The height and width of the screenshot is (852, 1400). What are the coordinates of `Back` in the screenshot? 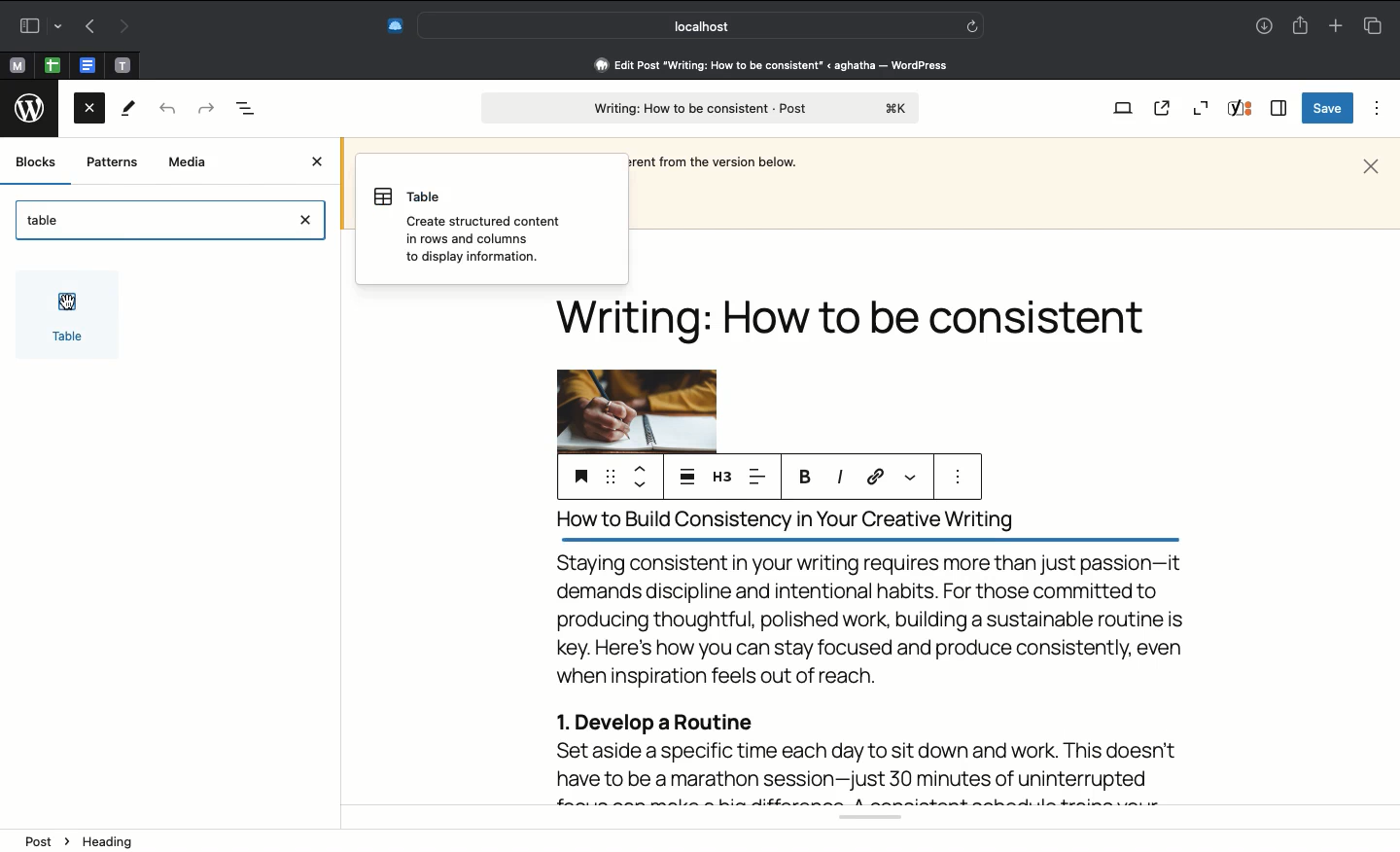 It's located at (165, 110).